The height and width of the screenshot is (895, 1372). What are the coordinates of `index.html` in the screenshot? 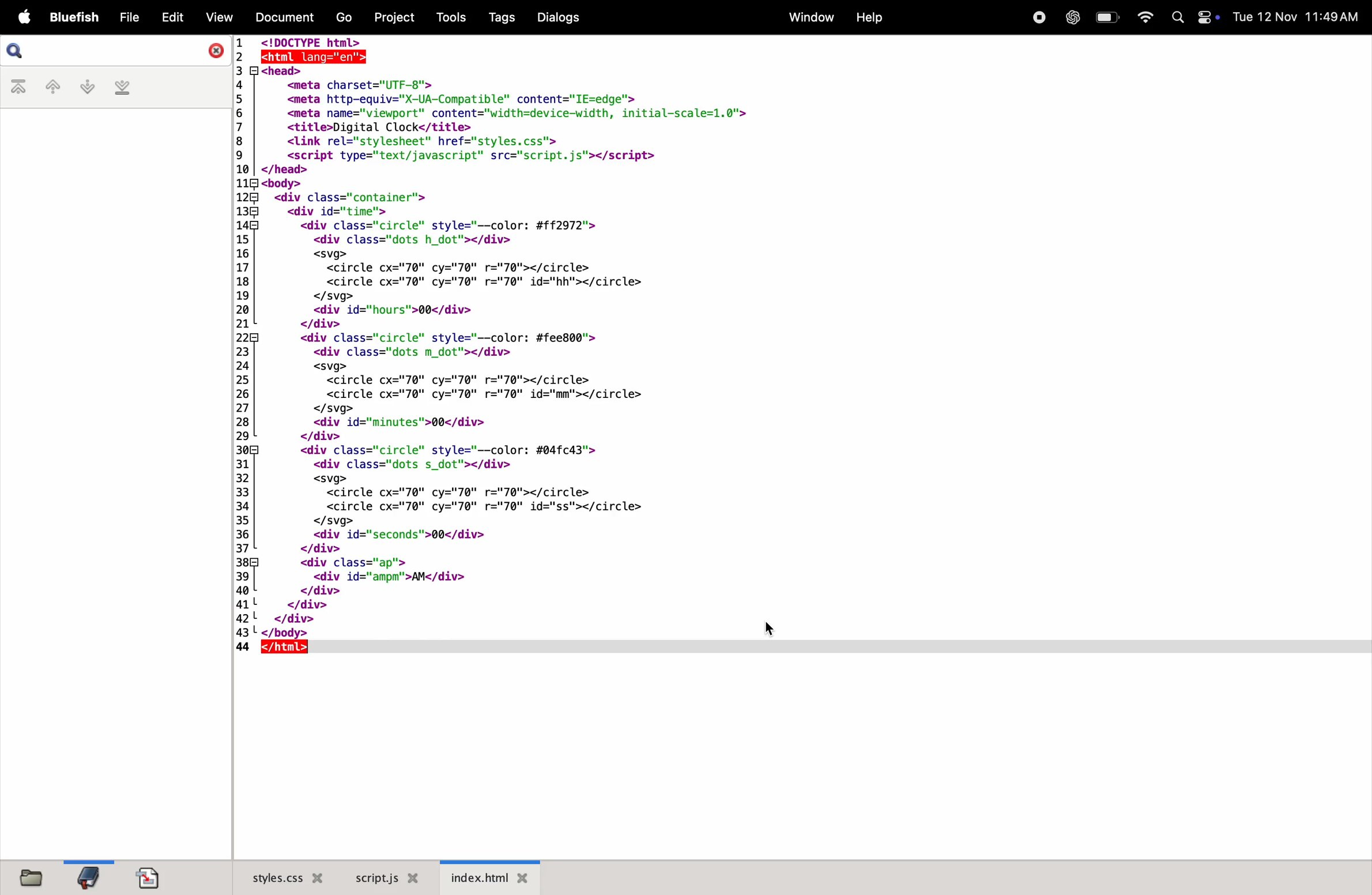 It's located at (489, 876).